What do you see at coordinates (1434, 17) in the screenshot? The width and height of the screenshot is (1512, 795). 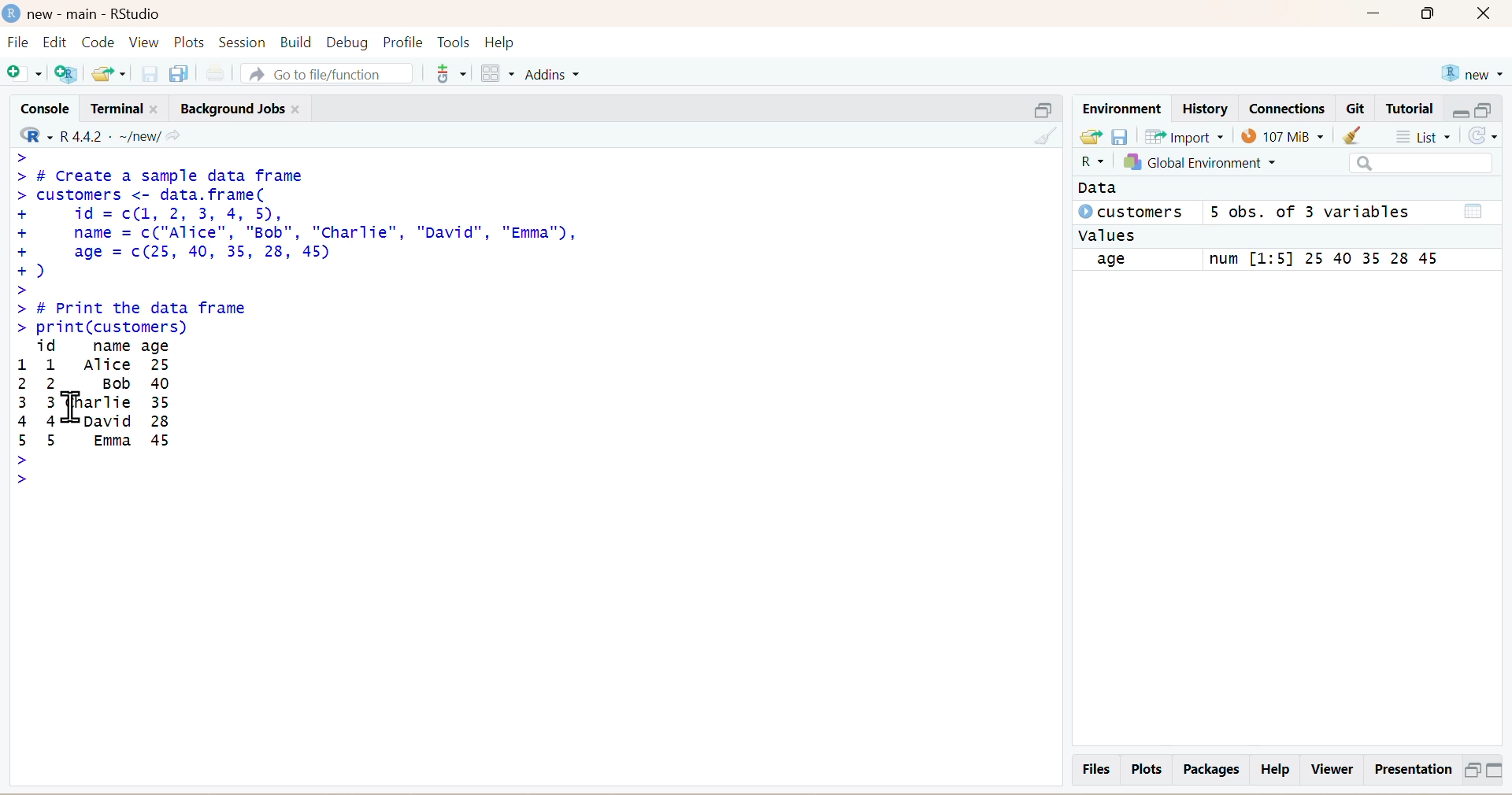 I see `Maximize` at bounding box center [1434, 17].